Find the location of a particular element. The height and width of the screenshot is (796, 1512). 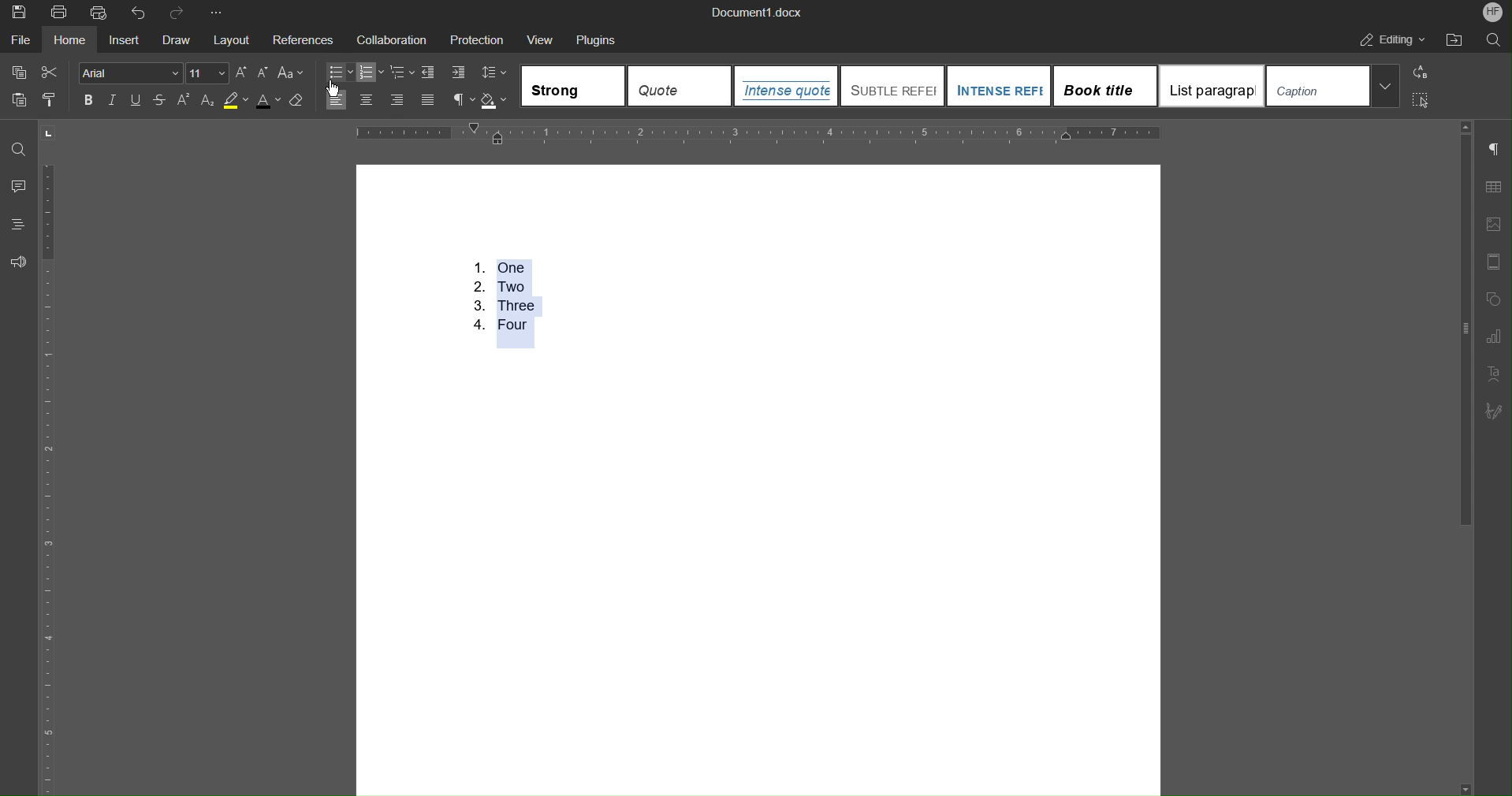

Erase Style is located at coordinates (298, 101).